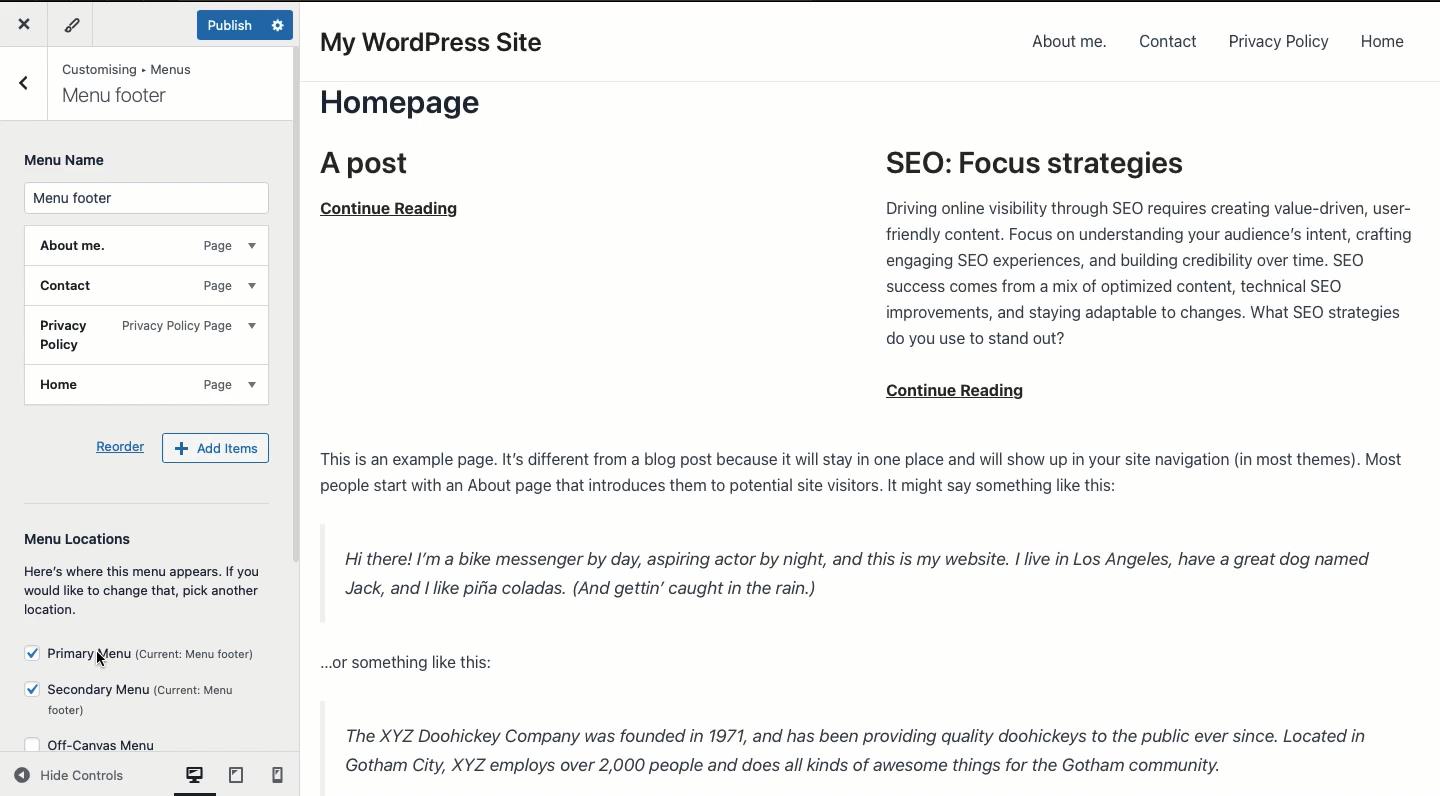  Describe the element at coordinates (149, 287) in the screenshot. I see `Contact` at that location.